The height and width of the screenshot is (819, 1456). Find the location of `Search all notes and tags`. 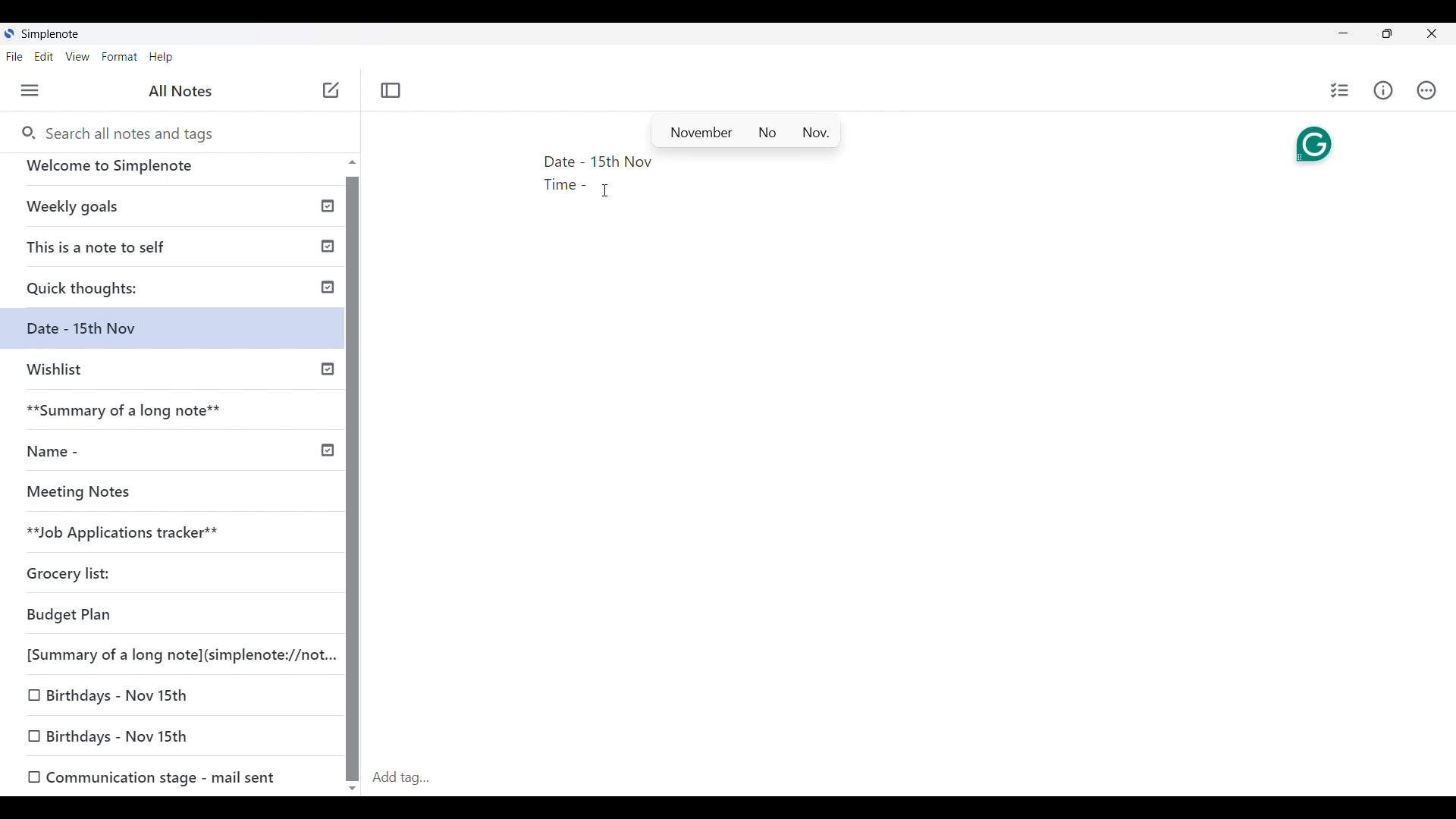

Search all notes and tags is located at coordinates (116, 132).